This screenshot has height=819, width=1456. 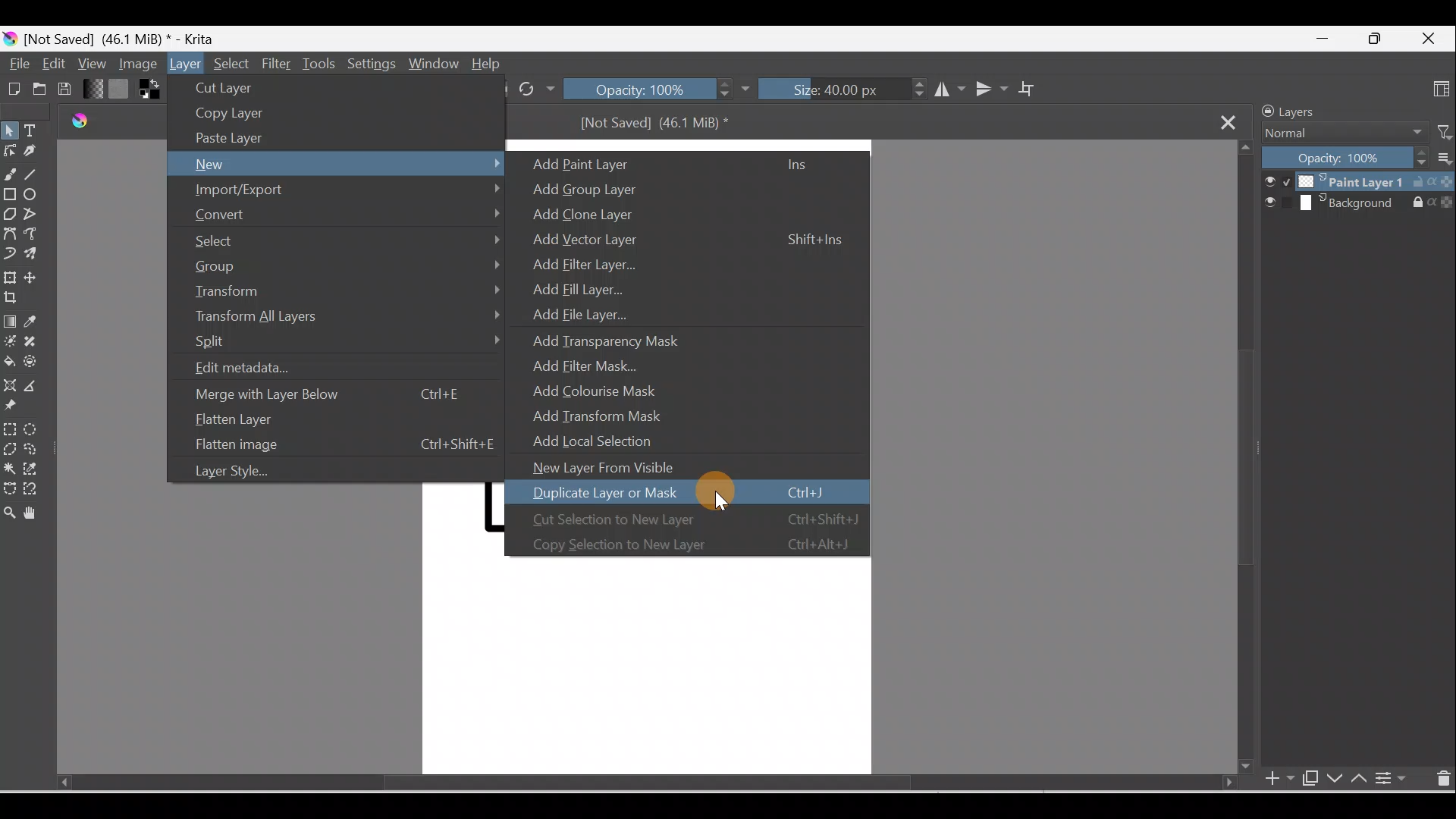 I want to click on Tools, so click(x=322, y=62).